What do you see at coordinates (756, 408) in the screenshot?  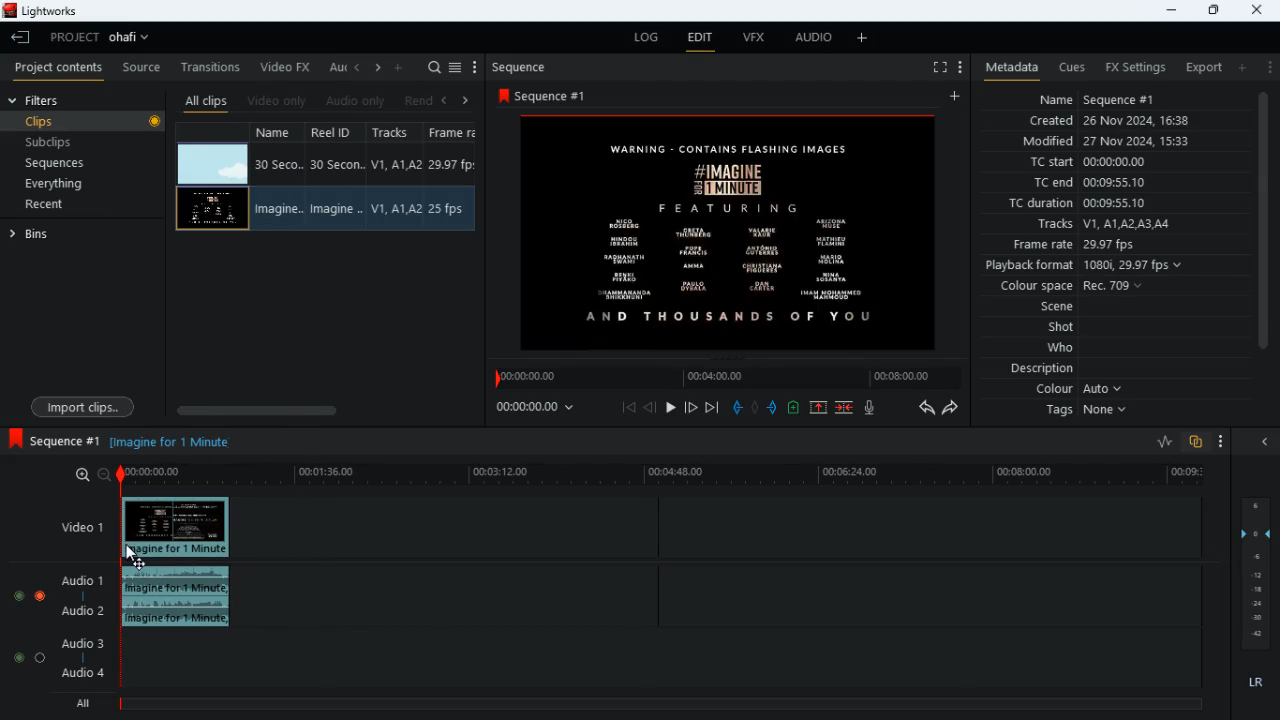 I see `hold` at bounding box center [756, 408].